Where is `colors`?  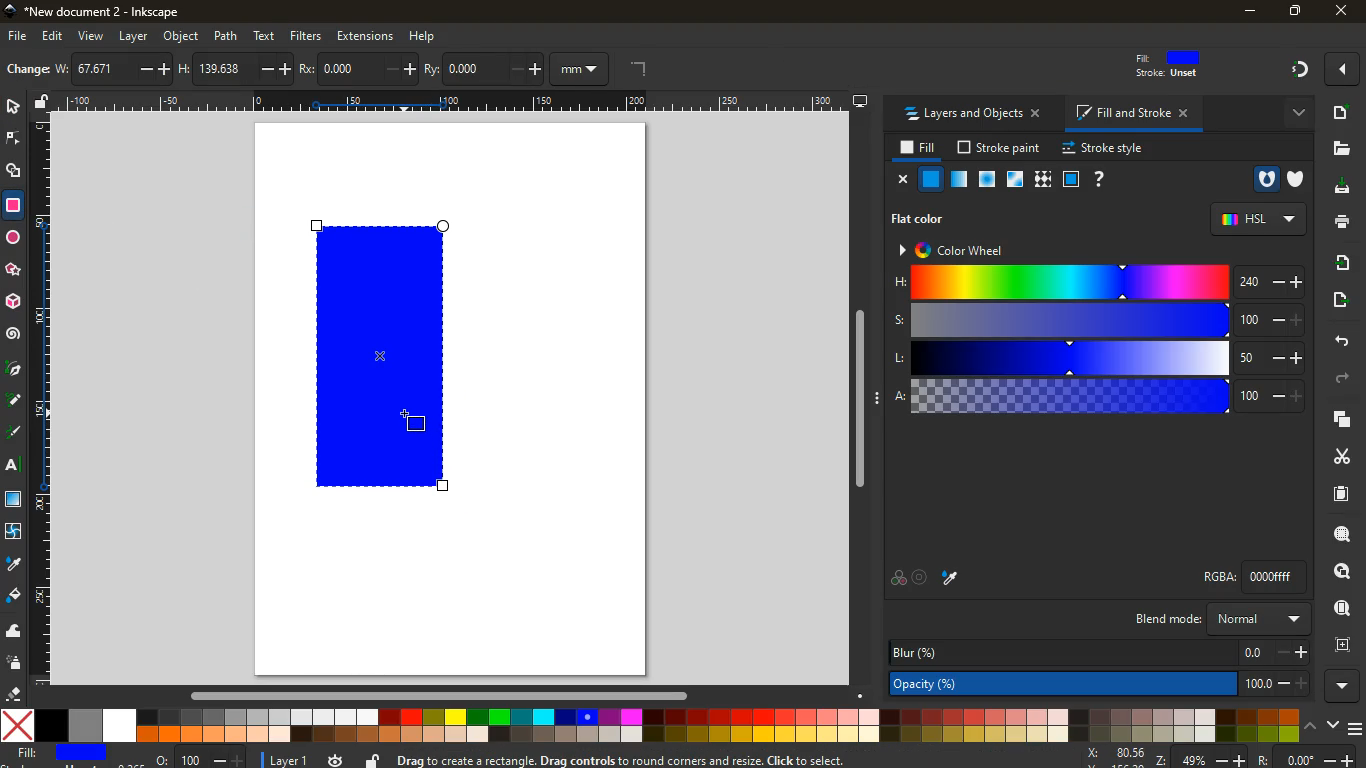
colors is located at coordinates (649, 726).